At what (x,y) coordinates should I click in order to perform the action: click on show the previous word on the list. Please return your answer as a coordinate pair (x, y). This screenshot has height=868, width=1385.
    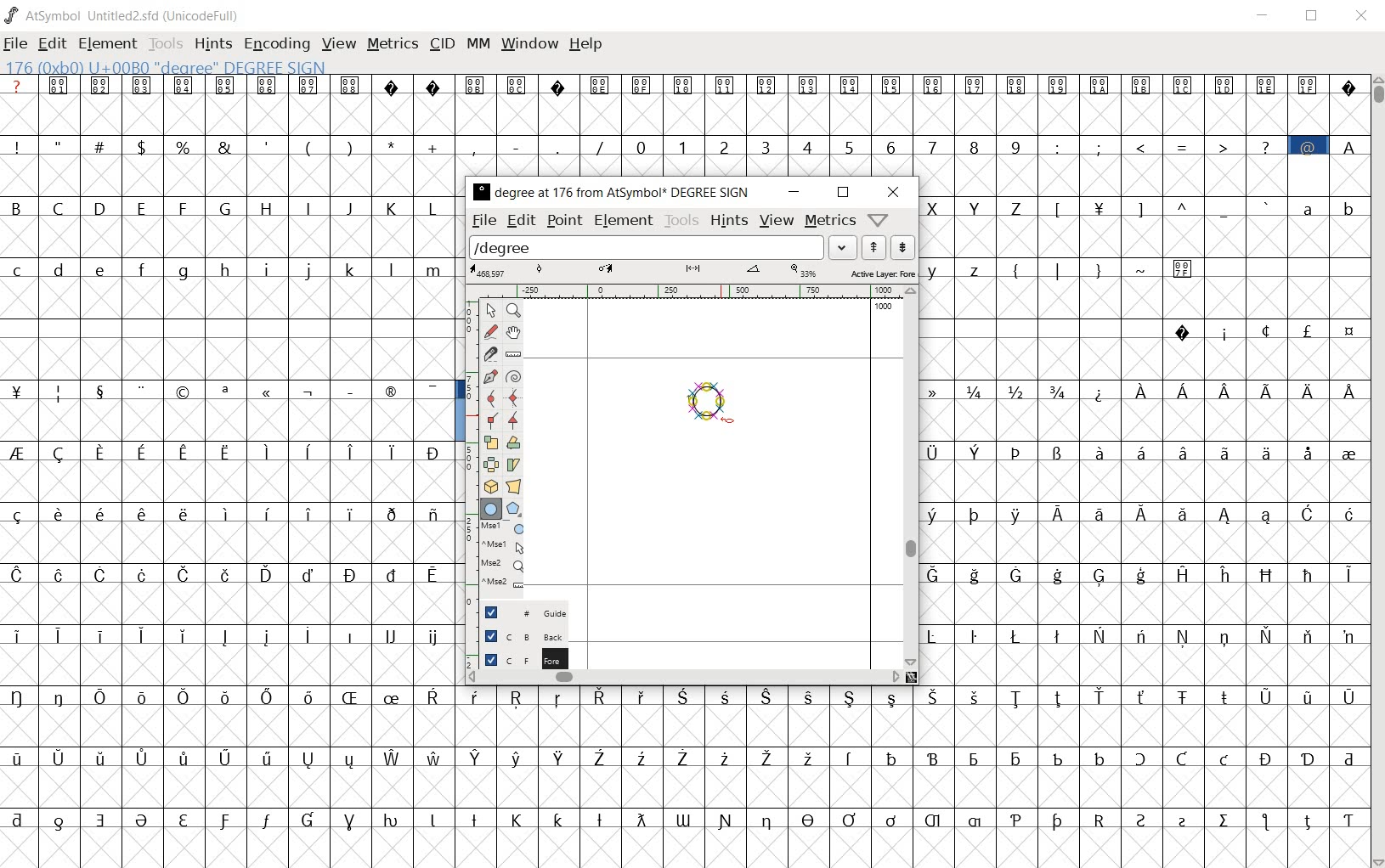
    Looking at the image, I should click on (902, 247).